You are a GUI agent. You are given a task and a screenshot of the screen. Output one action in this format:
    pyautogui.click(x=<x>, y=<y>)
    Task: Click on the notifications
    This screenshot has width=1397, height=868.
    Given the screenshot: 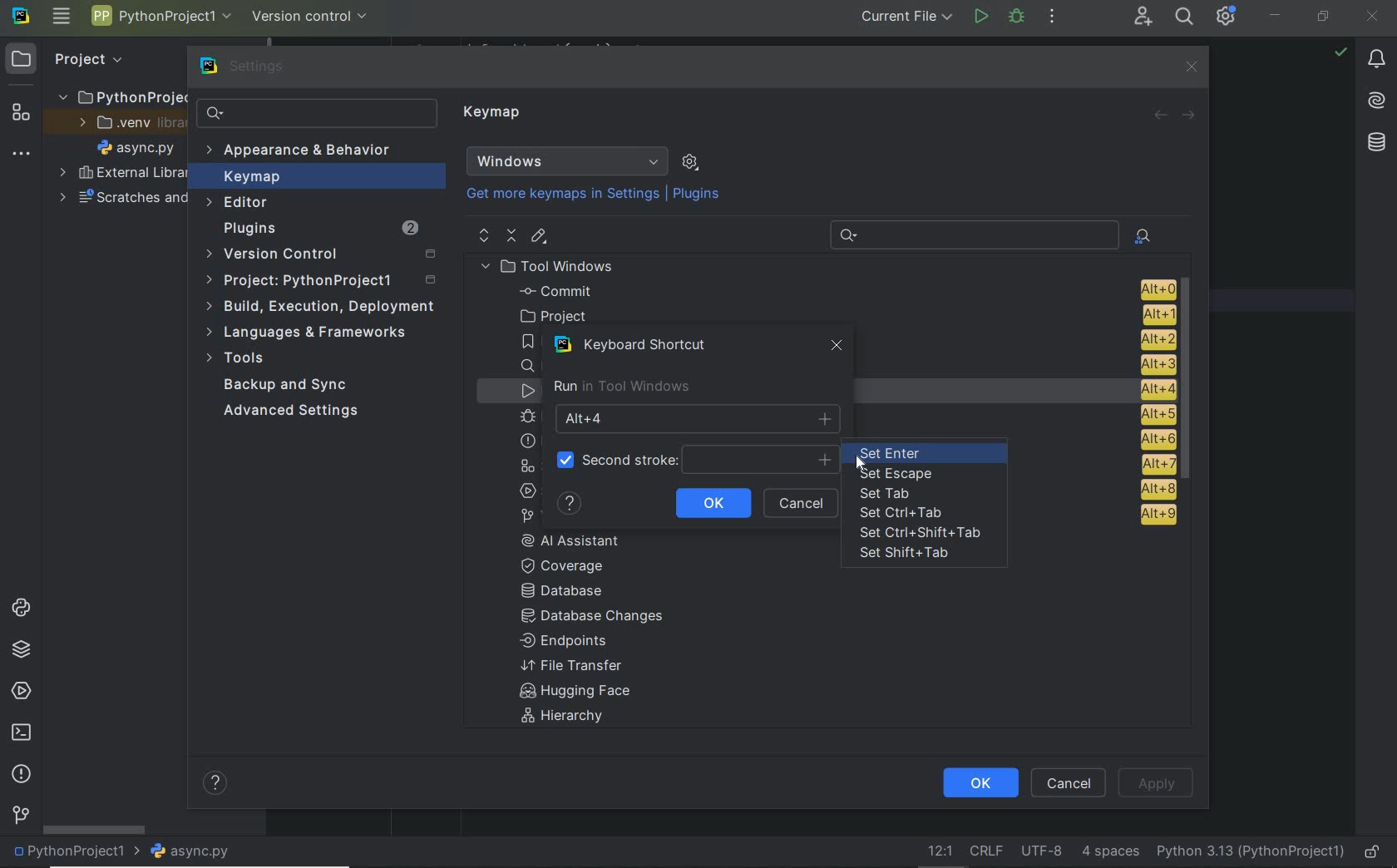 What is the action you would take?
    pyautogui.click(x=1377, y=60)
    